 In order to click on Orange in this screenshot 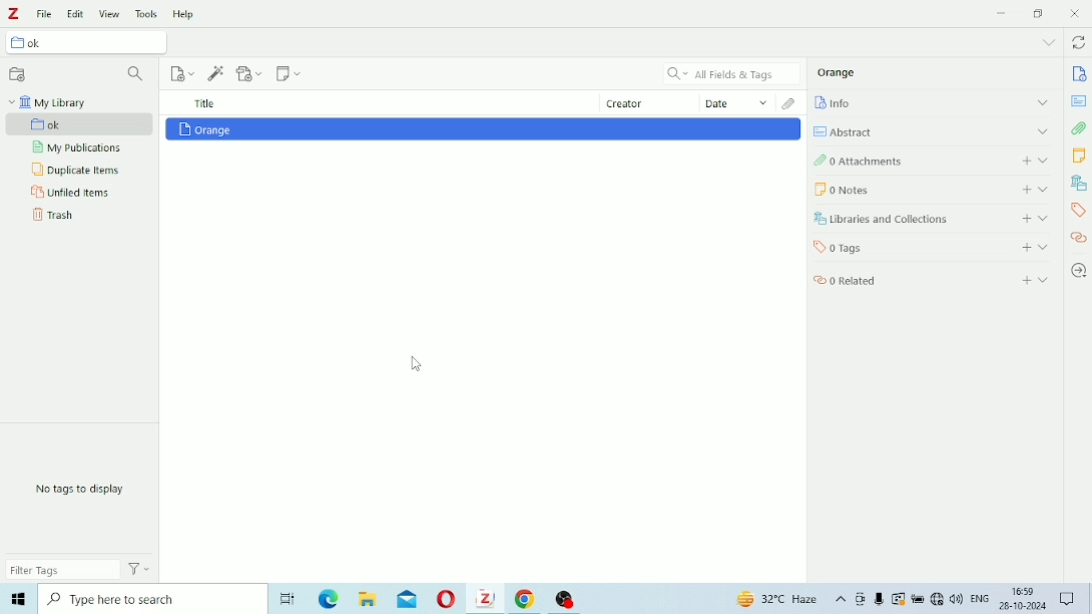, I will do `click(837, 72)`.